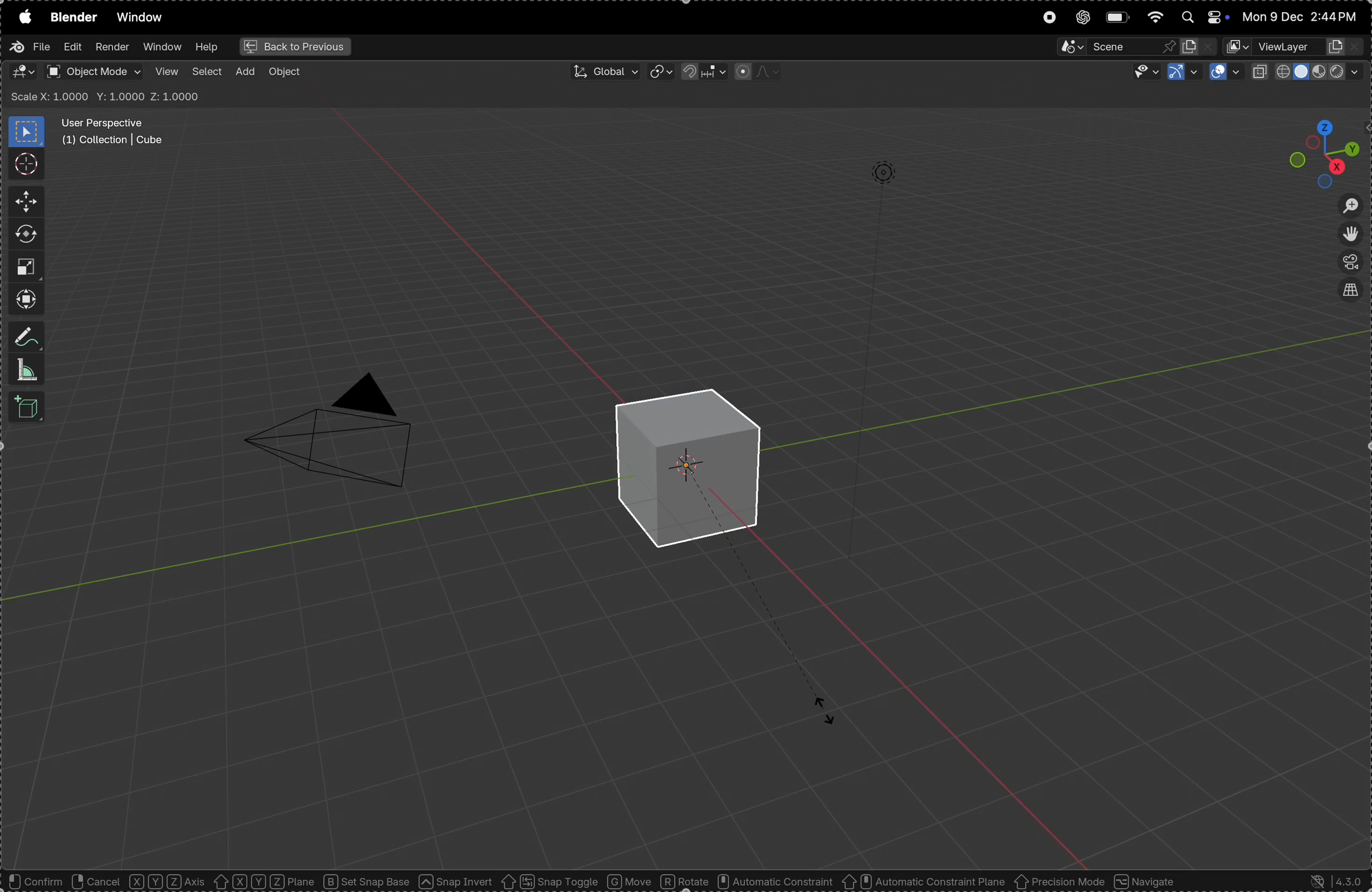 The width and height of the screenshot is (1372, 892). What do you see at coordinates (161, 46) in the screenshot?
I see `` at bounding box center [161, 46].